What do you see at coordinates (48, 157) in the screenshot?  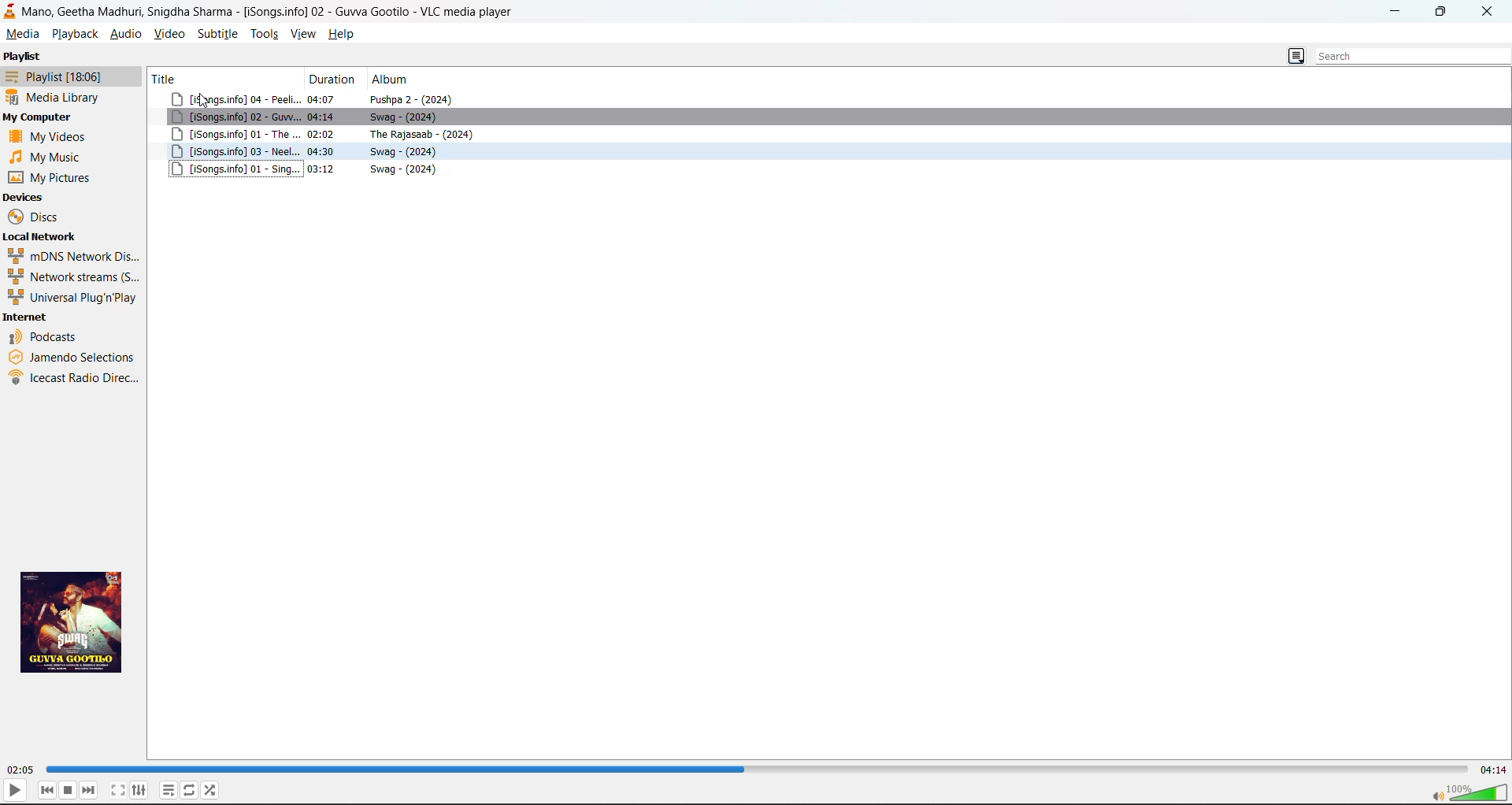 I see `music` at bounding box center [48, 157].